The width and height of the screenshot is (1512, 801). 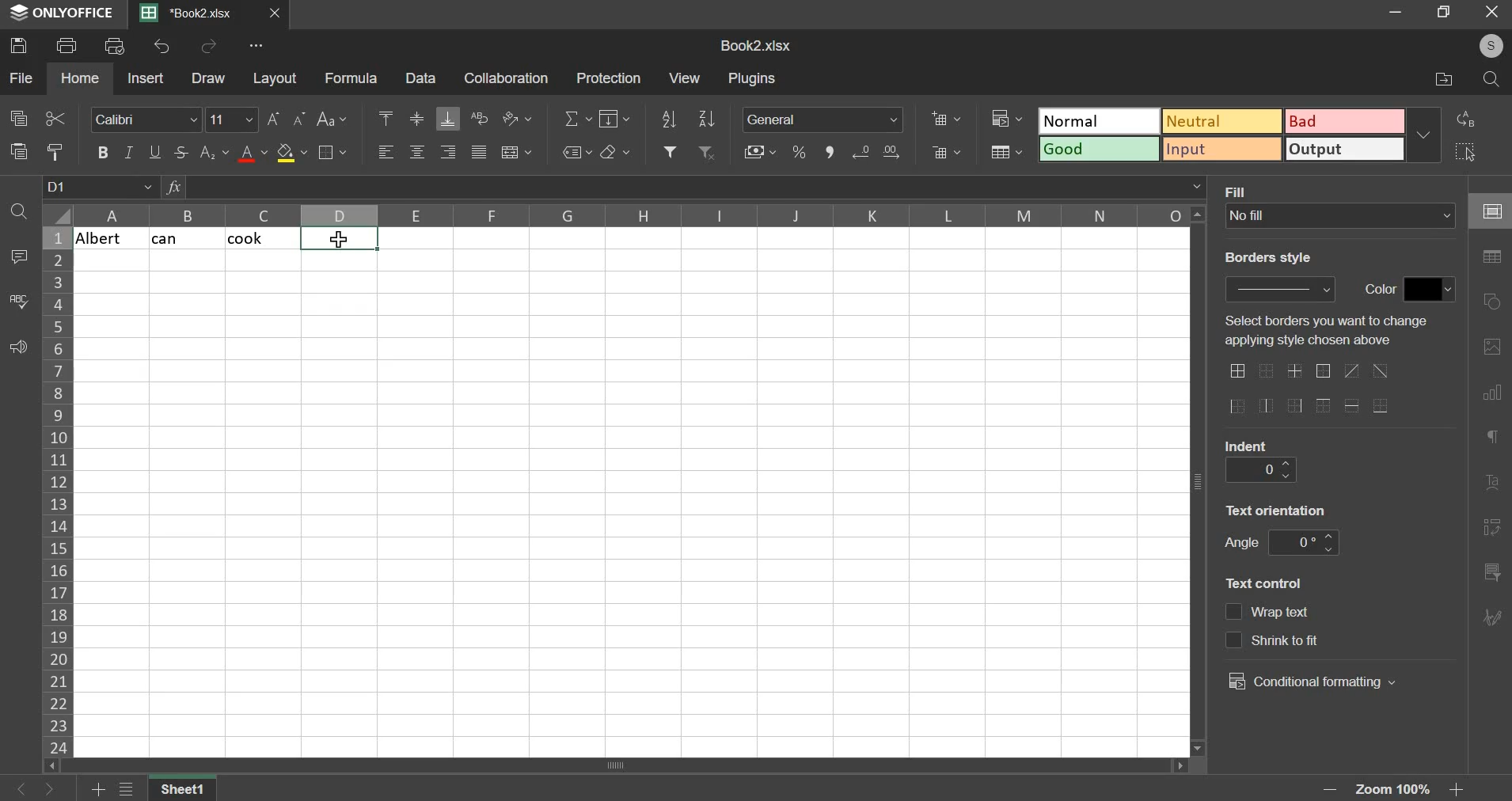 I want to click on feedback, so click(x=18, y=348).